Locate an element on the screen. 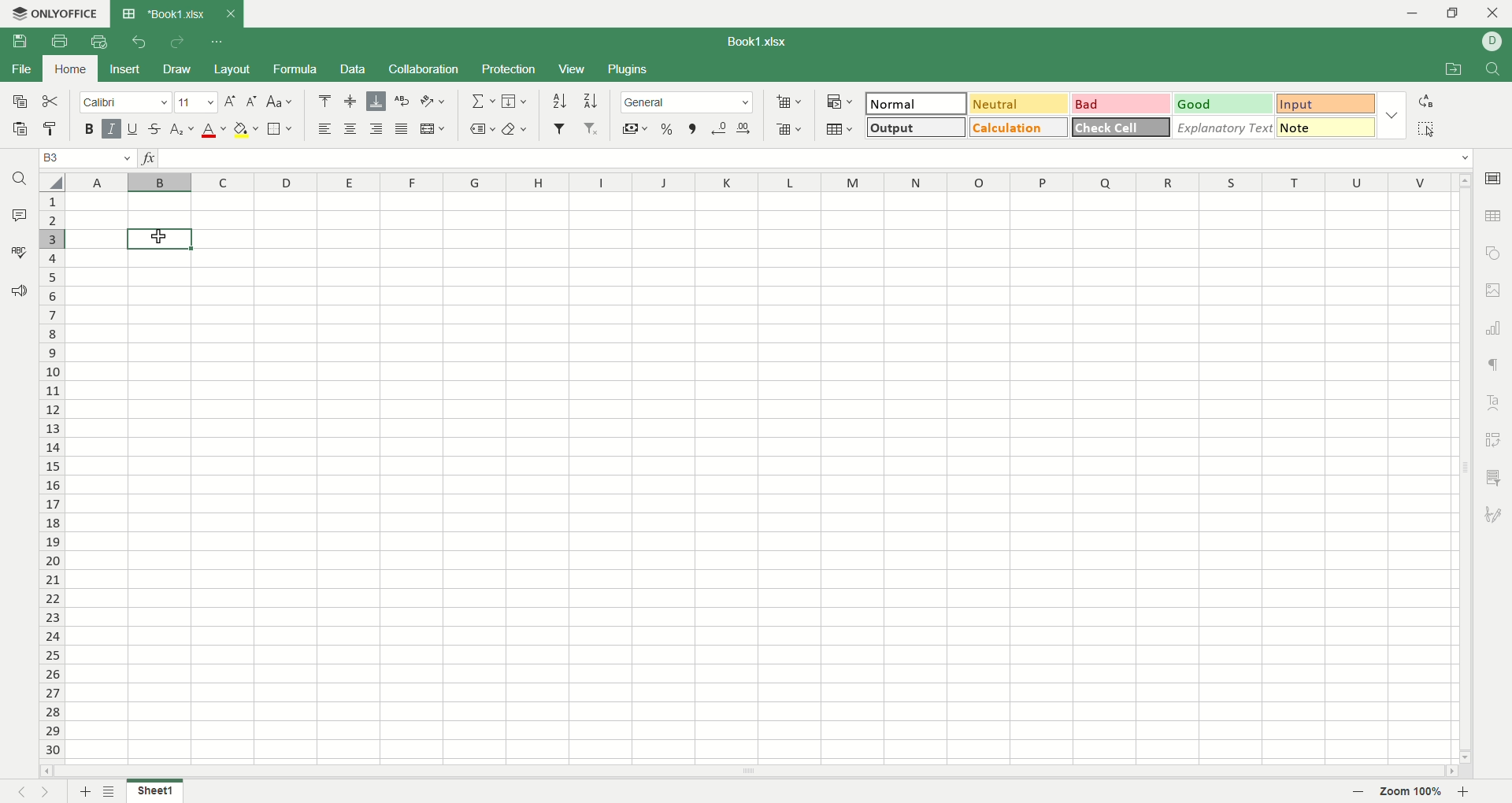 Image resolution: width=1512 pixels, height=803 pixels. wrap text is located at coordinates (400, 101).